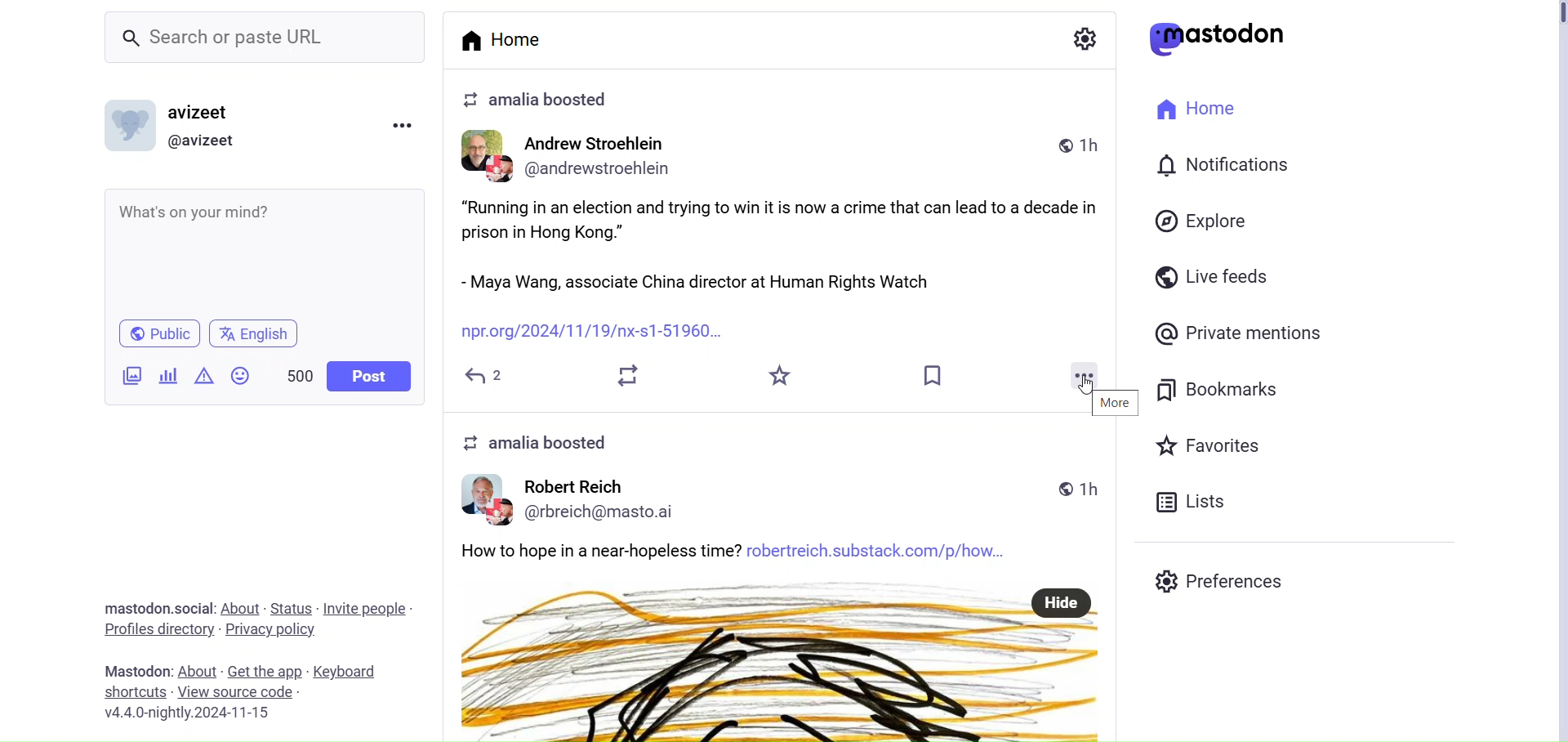 This screenshot has width=1568, height=742. What do you see at coordinates (167, 376) in the screenshot?
I see `Add Poll` at bounding box center [167, 376].